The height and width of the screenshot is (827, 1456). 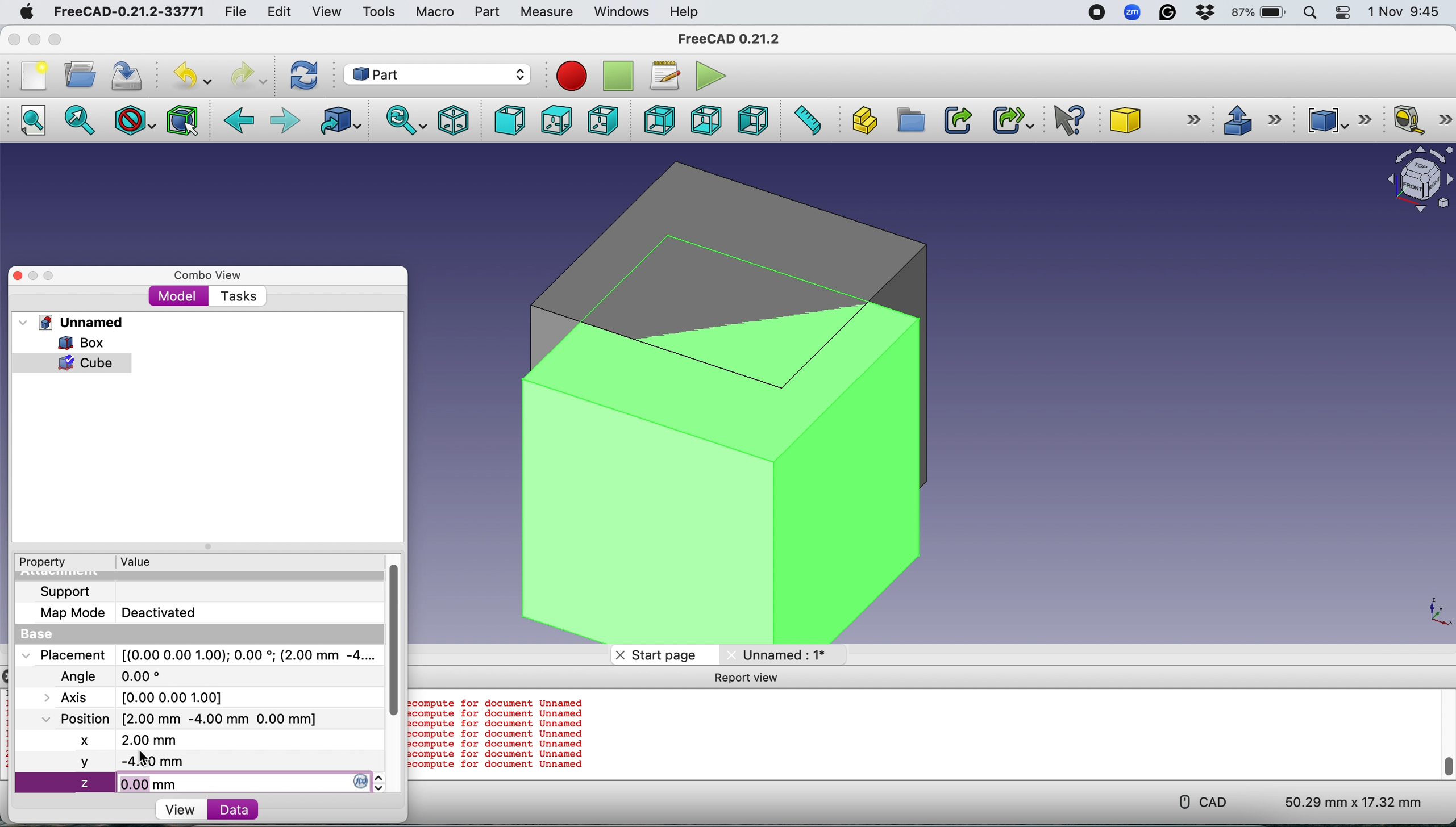 What do you see at coordinates (203, 782) in the screenshot?
I see `z axis selected` at bounding box center [203, 782].